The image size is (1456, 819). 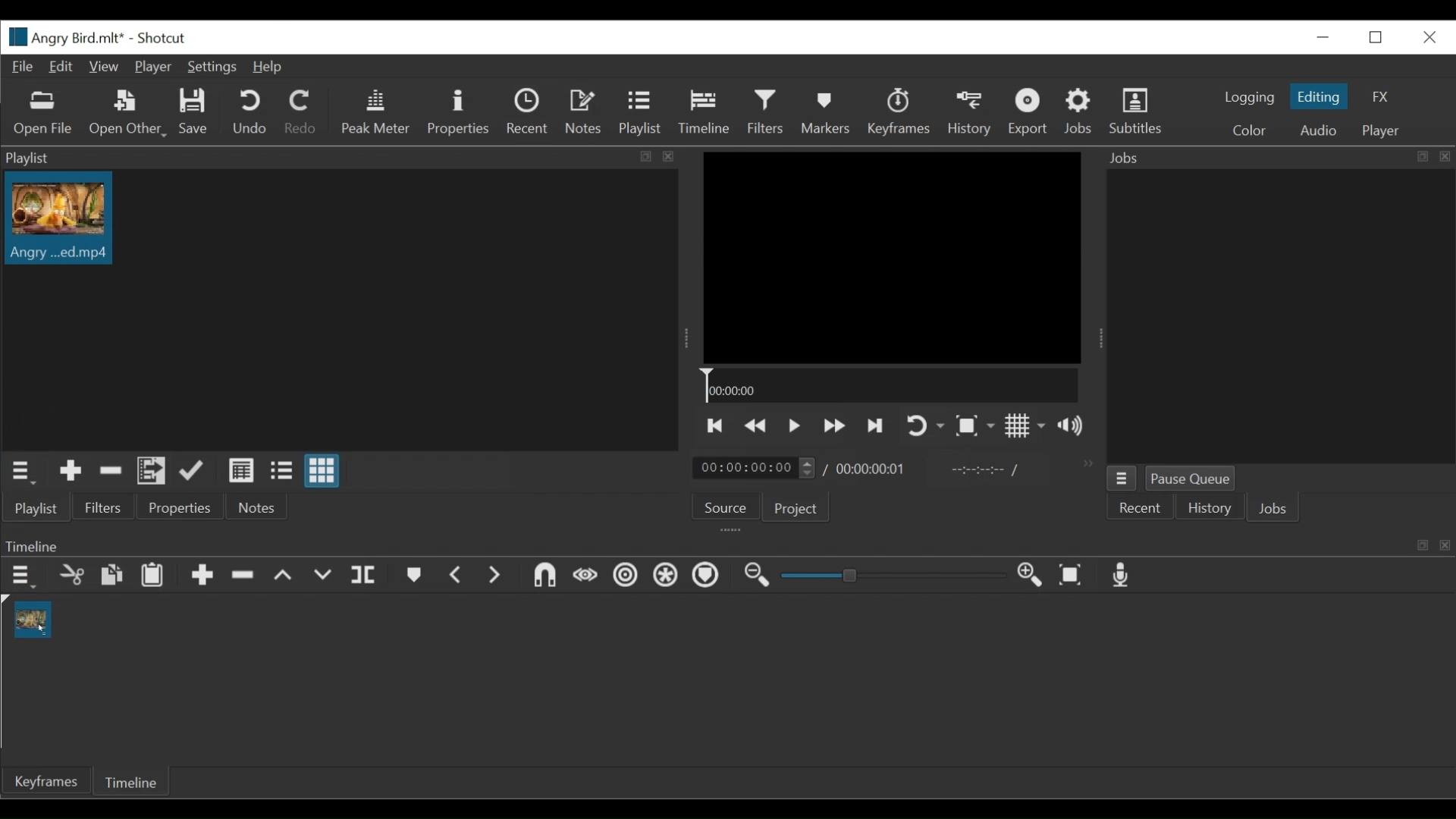 I want to click on logging, so click(x=1250, y=98).